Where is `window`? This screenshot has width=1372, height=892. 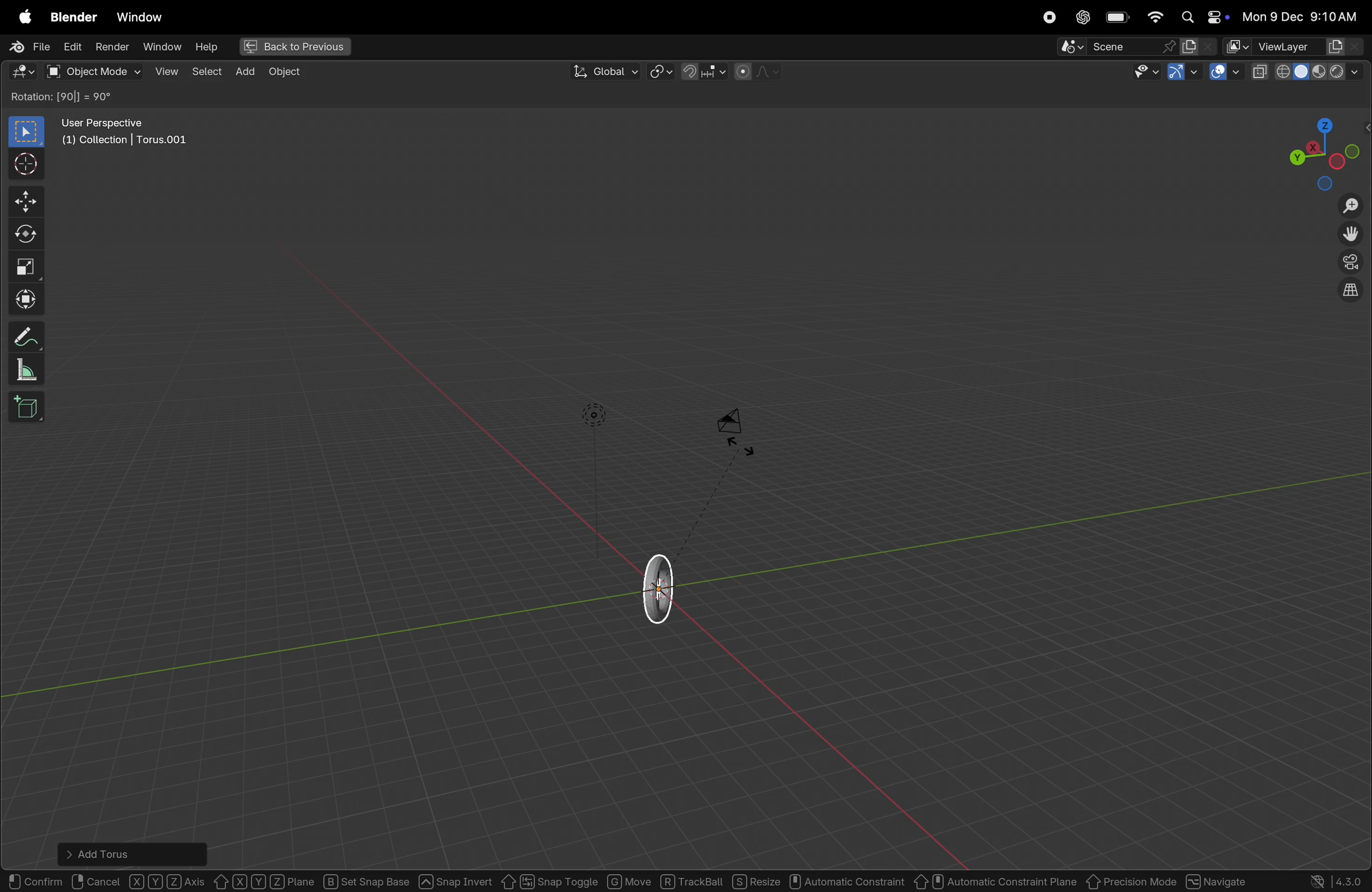 window is located at coordinates (139, 17).